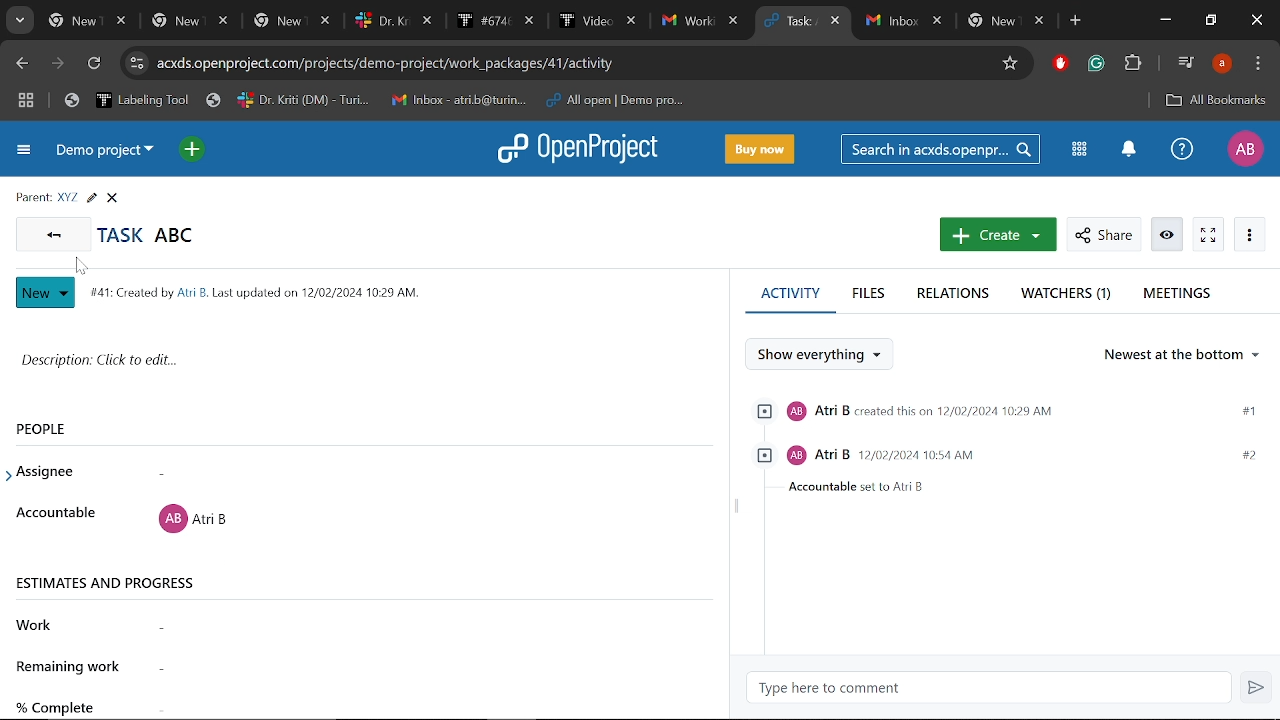 This screenshot has width=1280, height=720. Describe the element at coordinates (1256, 688) in the screenshot. I see `Send` at that location.